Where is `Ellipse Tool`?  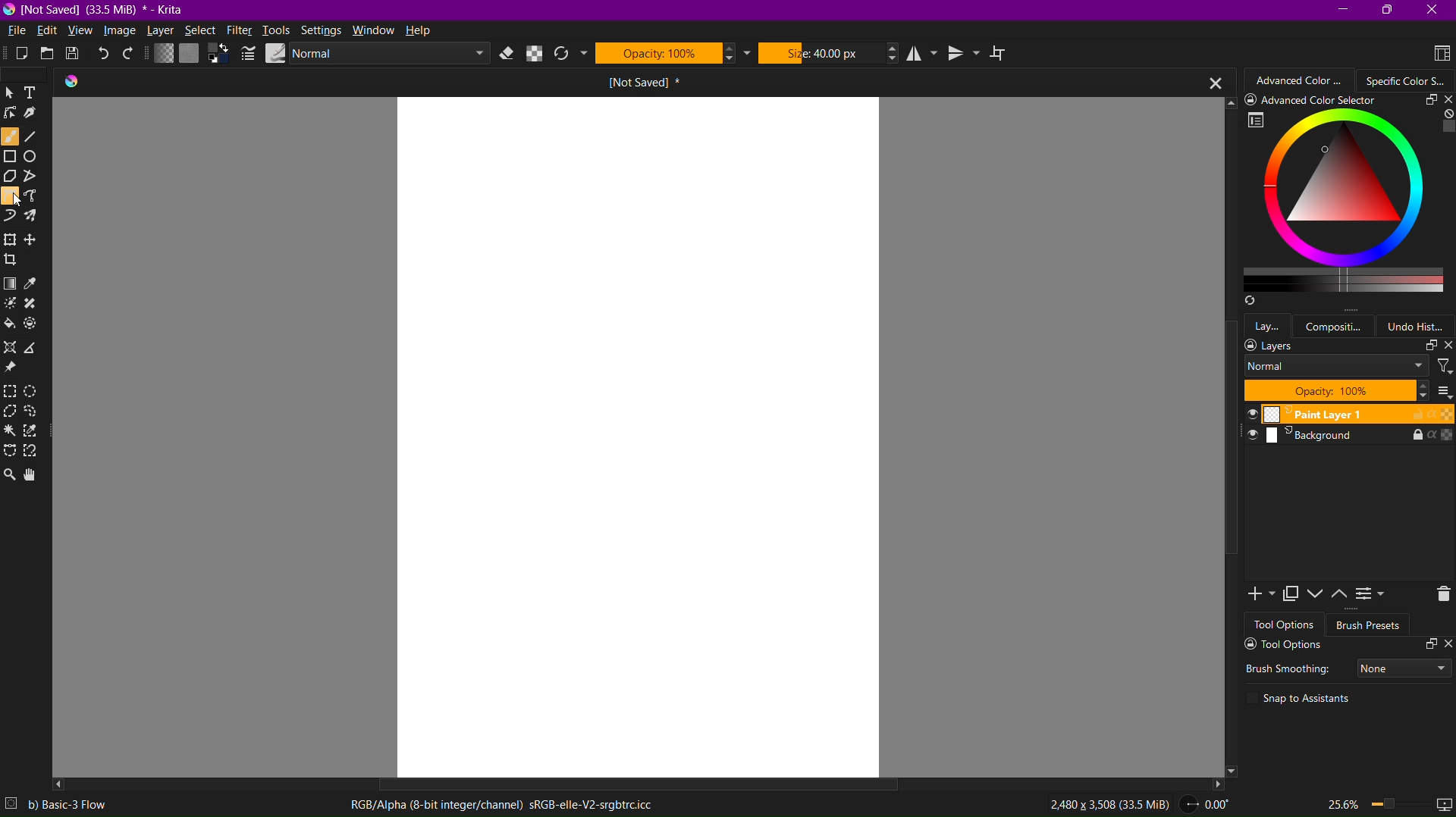
Ellipse Tool is located at coordinates (37, 159).